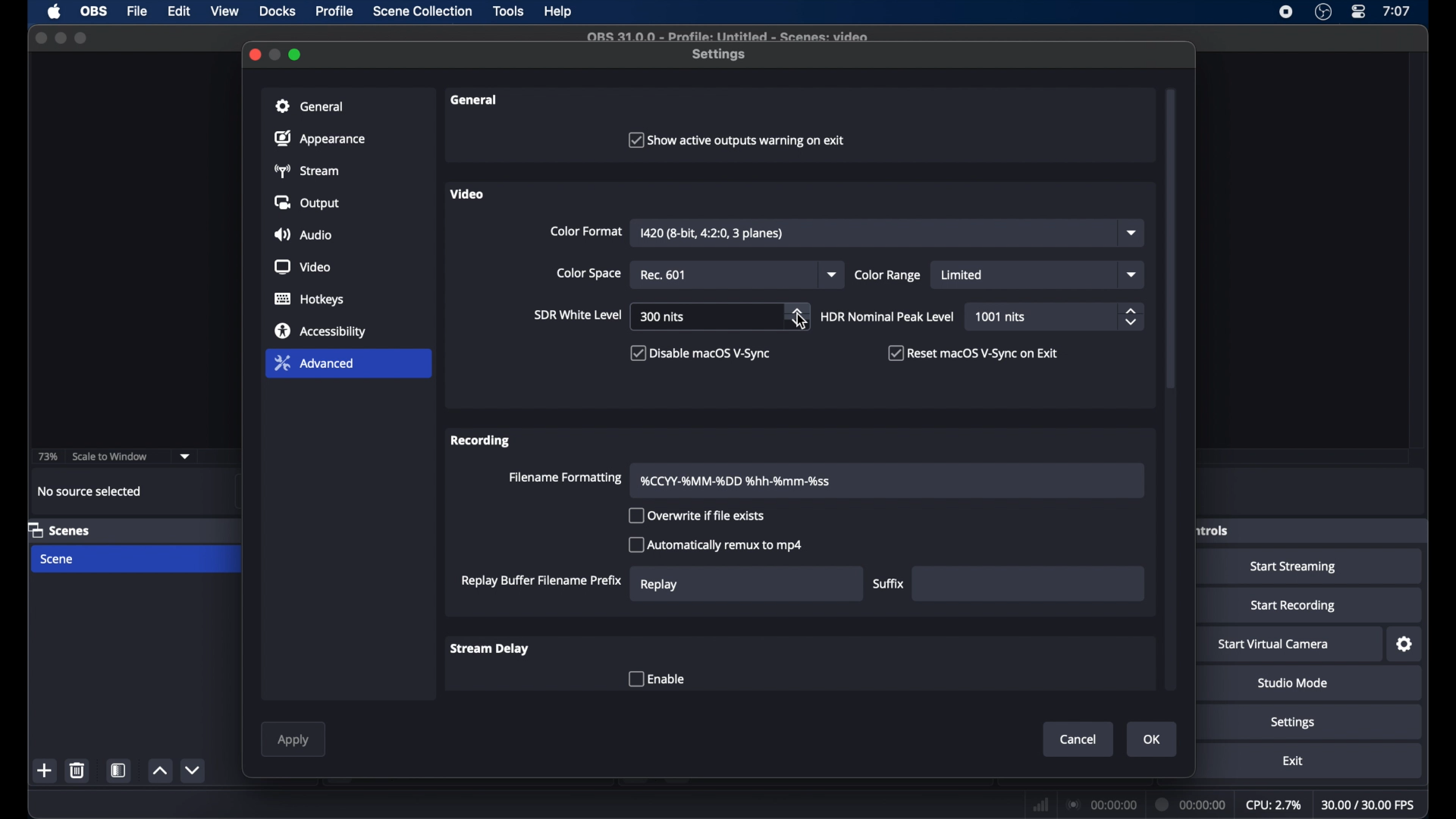 This screenshot has height=819, width=1456. I want to click on advanced, so click(315, 362).